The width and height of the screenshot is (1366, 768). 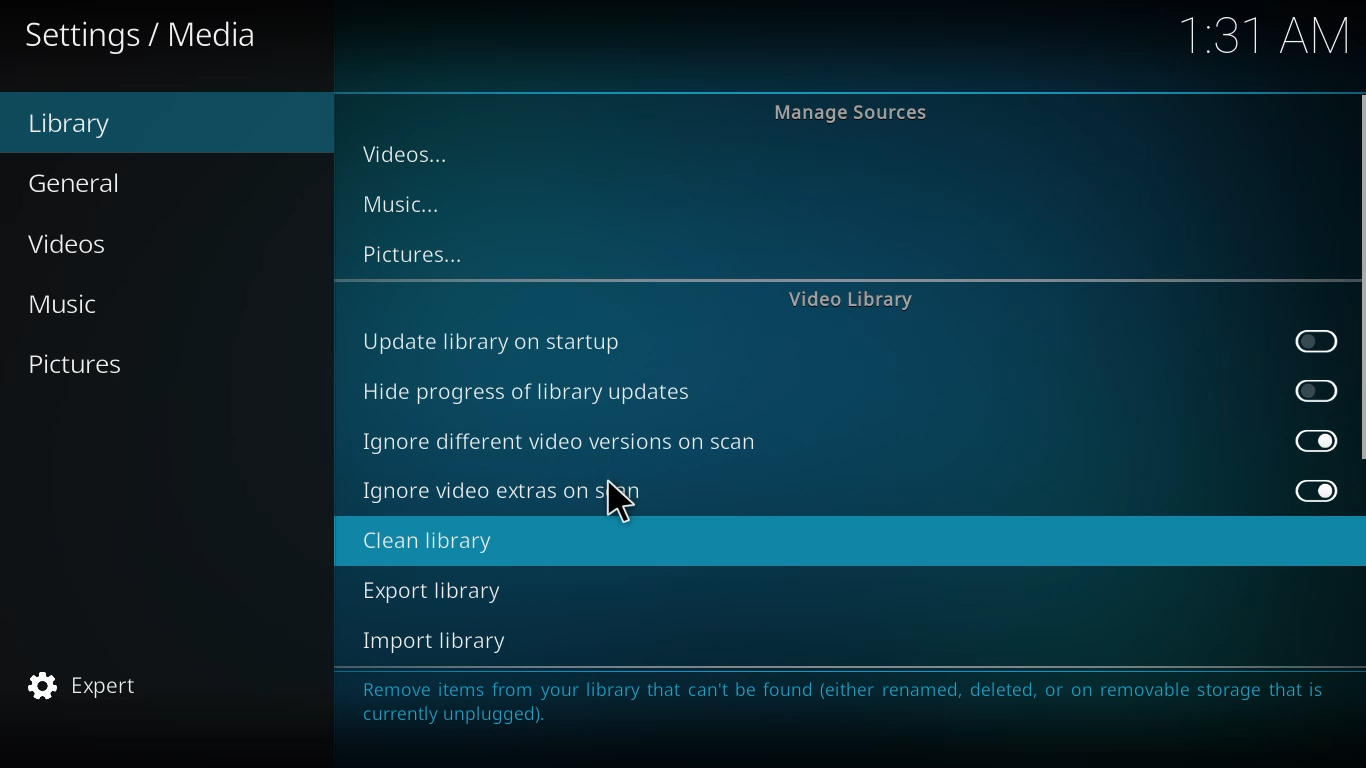 What do you see at coordinates (841, 700) in the screenshot?
I see `info` at bounding box center [841, 700].